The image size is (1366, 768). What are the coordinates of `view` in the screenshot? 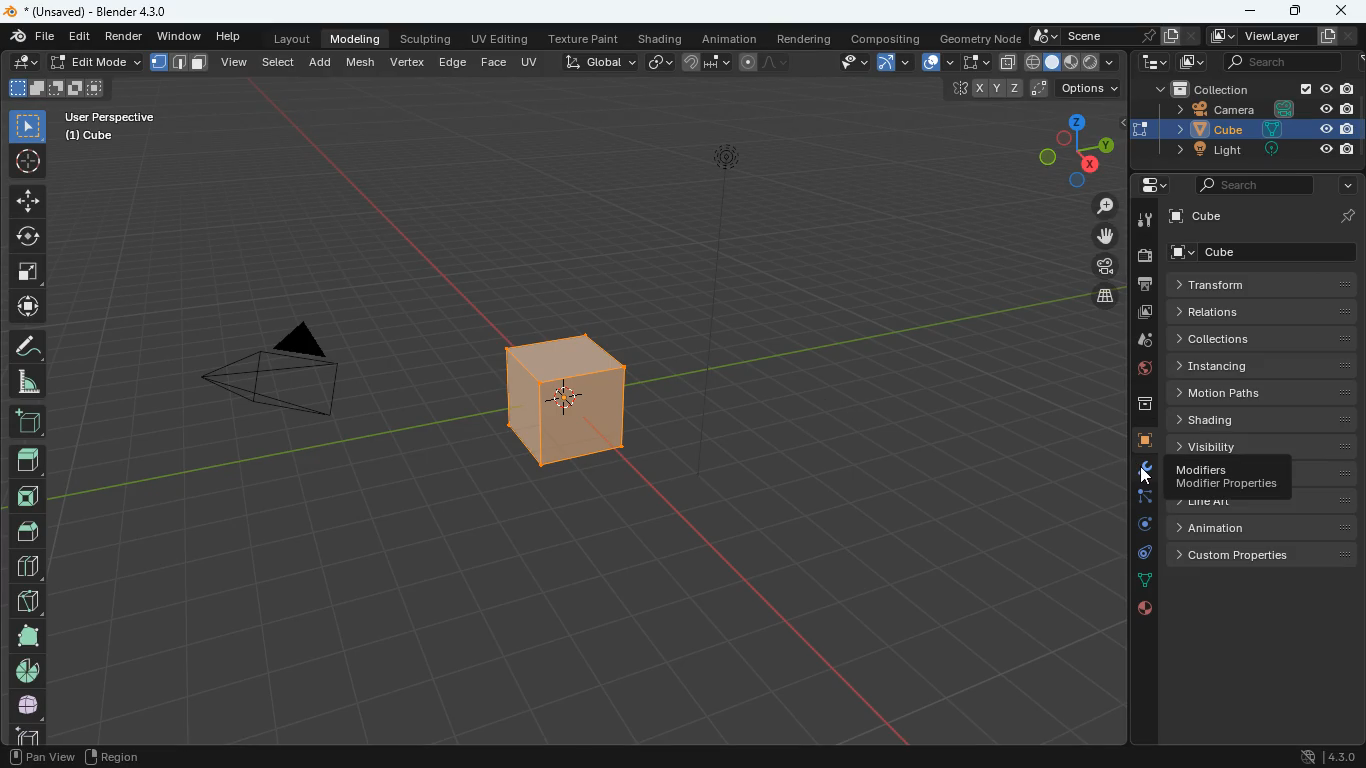 It's located at (236, 64).